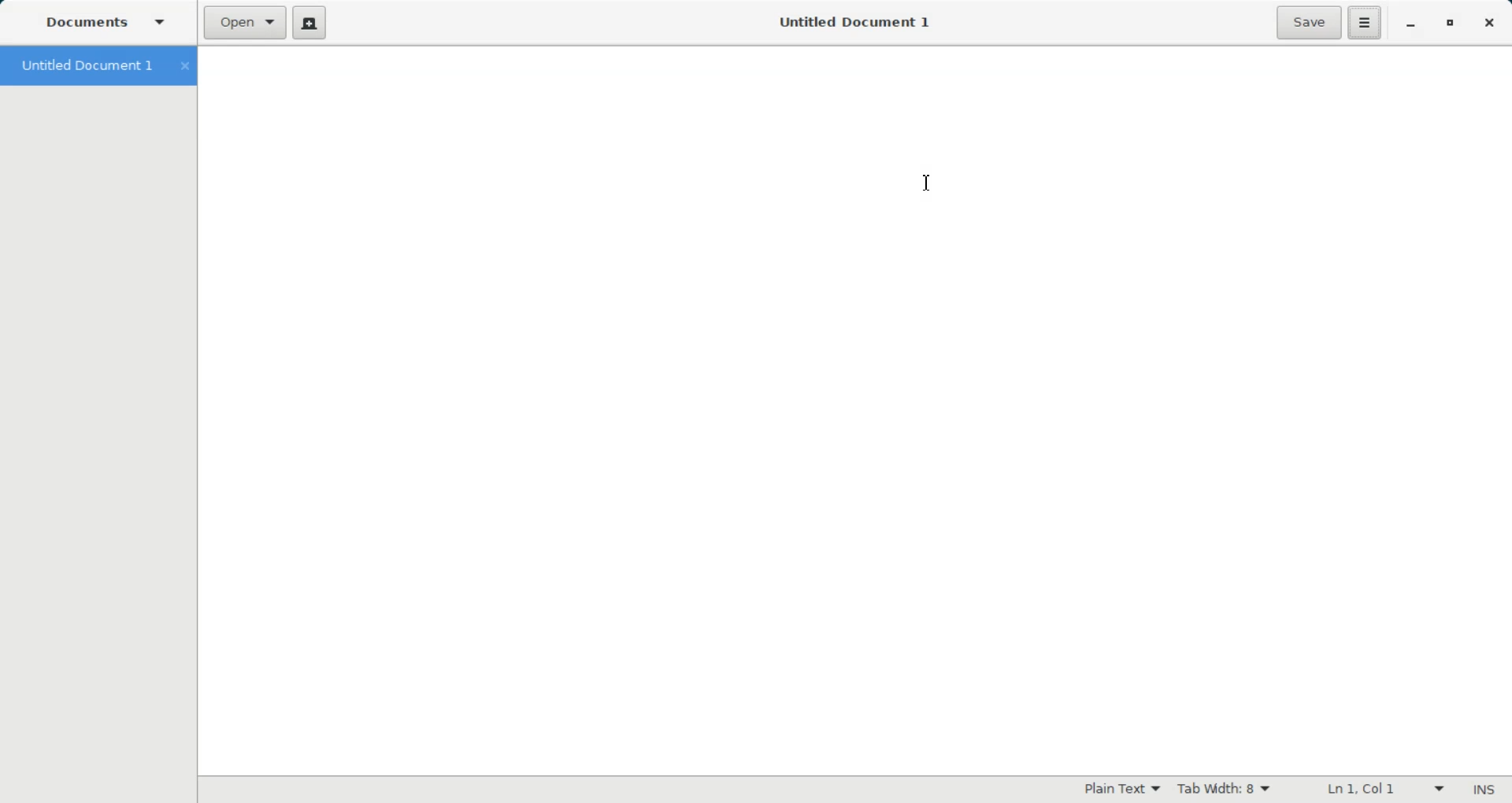 The width and height of the screenshot is (1512, 803). Describe the element at coordinates (1412, 24) in the screenshot. I see `Minimize` at that location.